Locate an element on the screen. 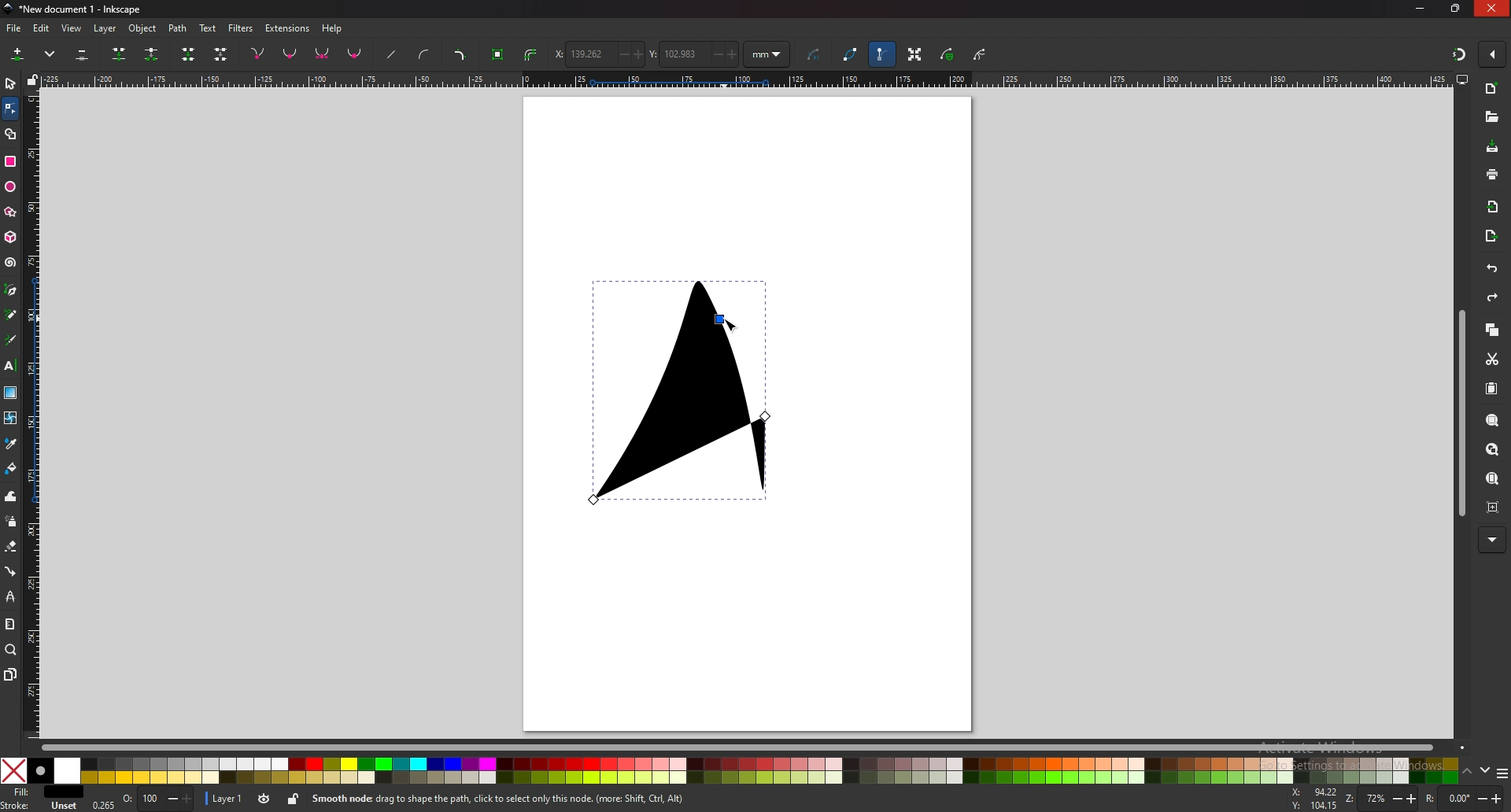  connector is located at coordinates (10, 570).